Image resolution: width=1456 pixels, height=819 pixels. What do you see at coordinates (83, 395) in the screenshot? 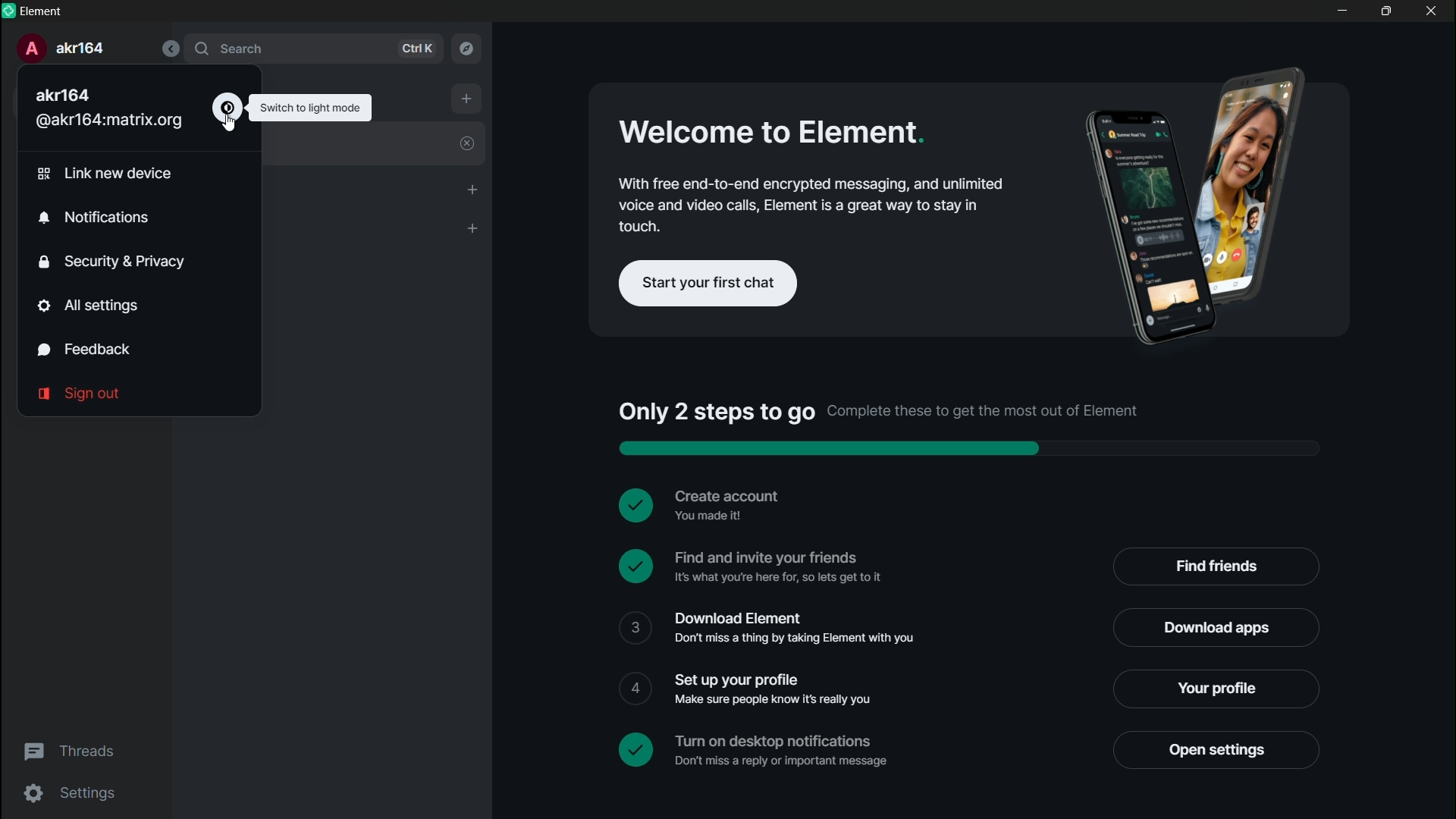
I see `sign out` at bounding box center [83, 395].